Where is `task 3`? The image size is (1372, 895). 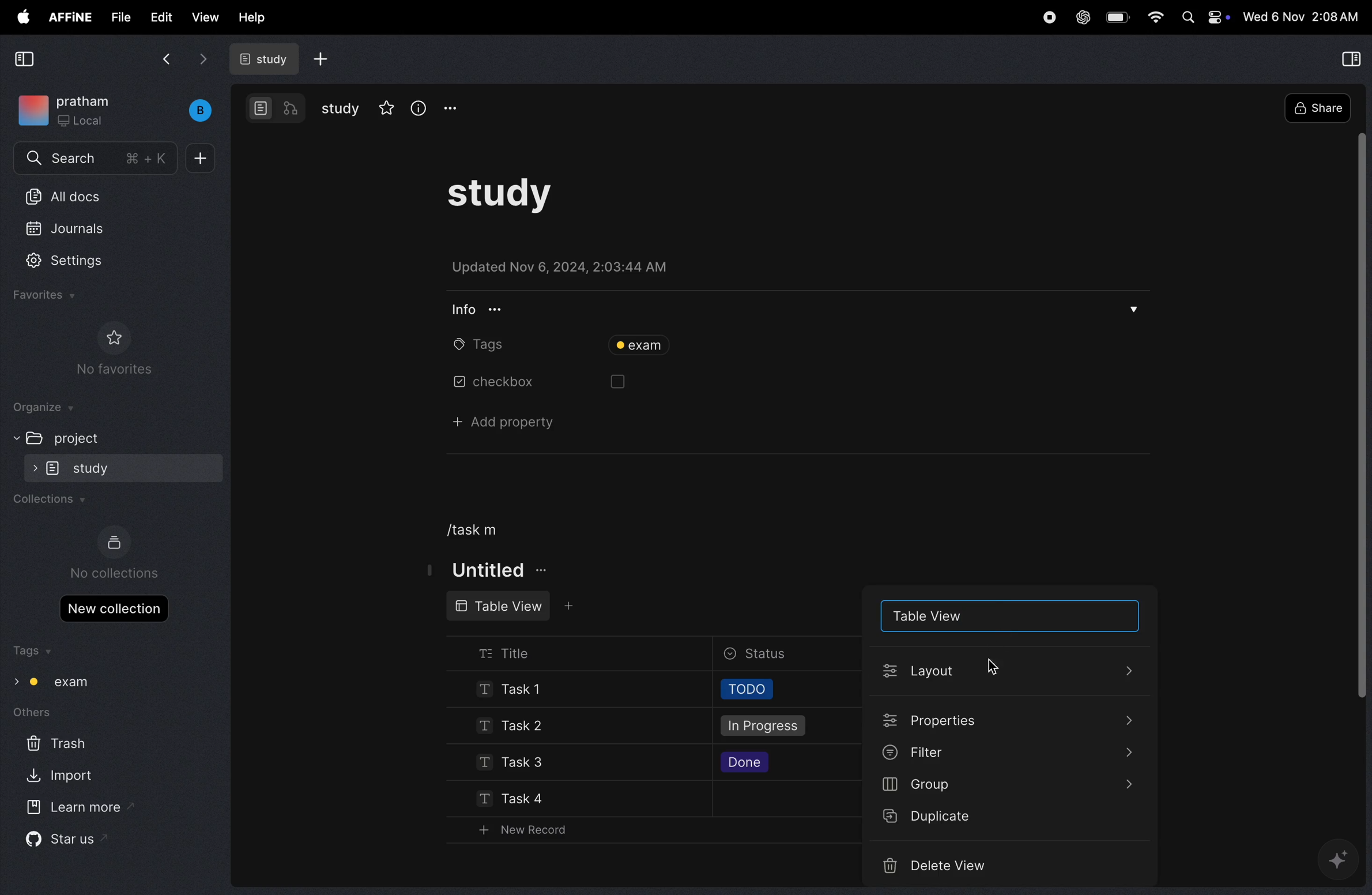 task 3 is located at coordinates (506, 765).